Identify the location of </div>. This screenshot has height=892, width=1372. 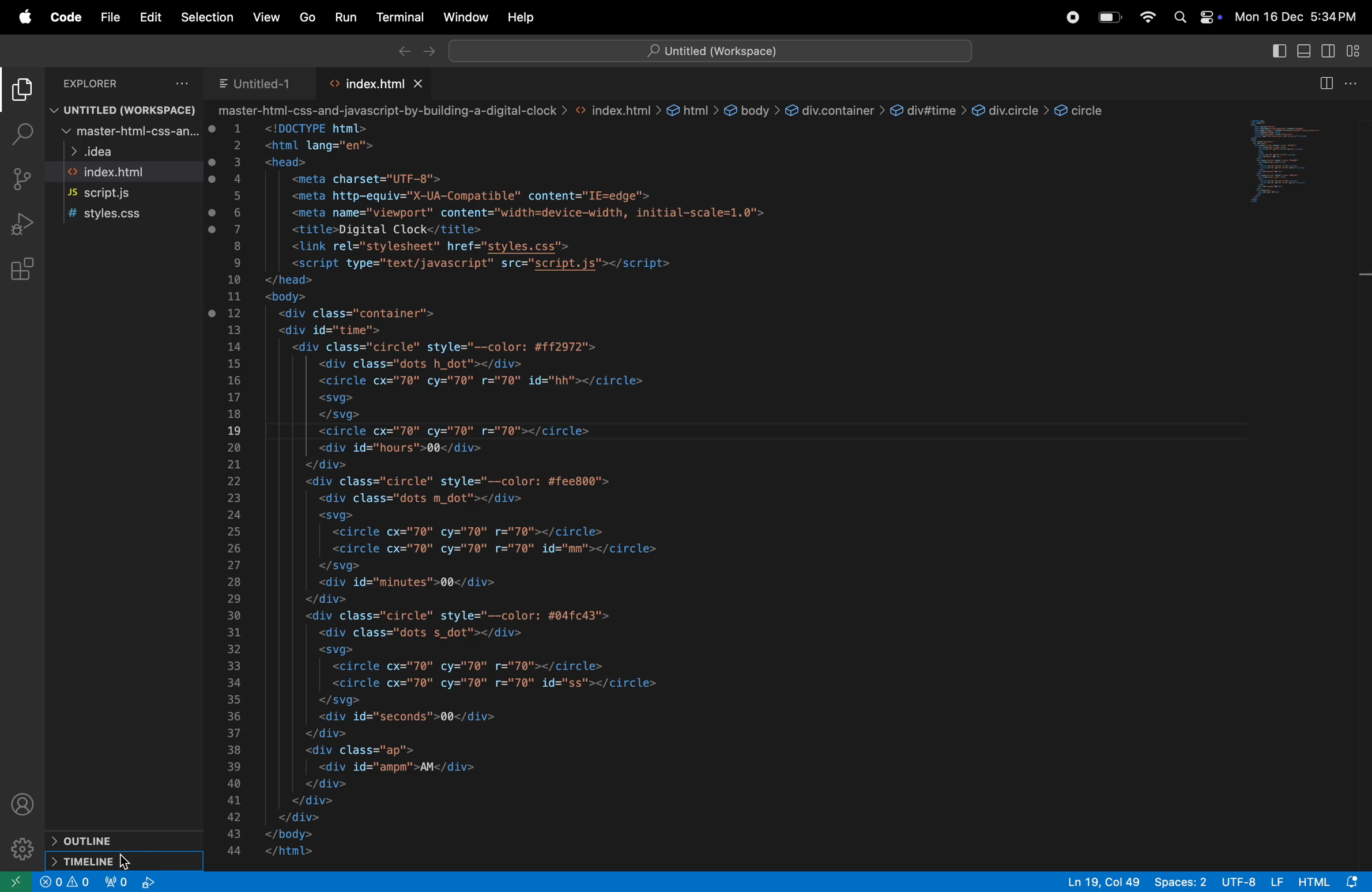
(325, 784).